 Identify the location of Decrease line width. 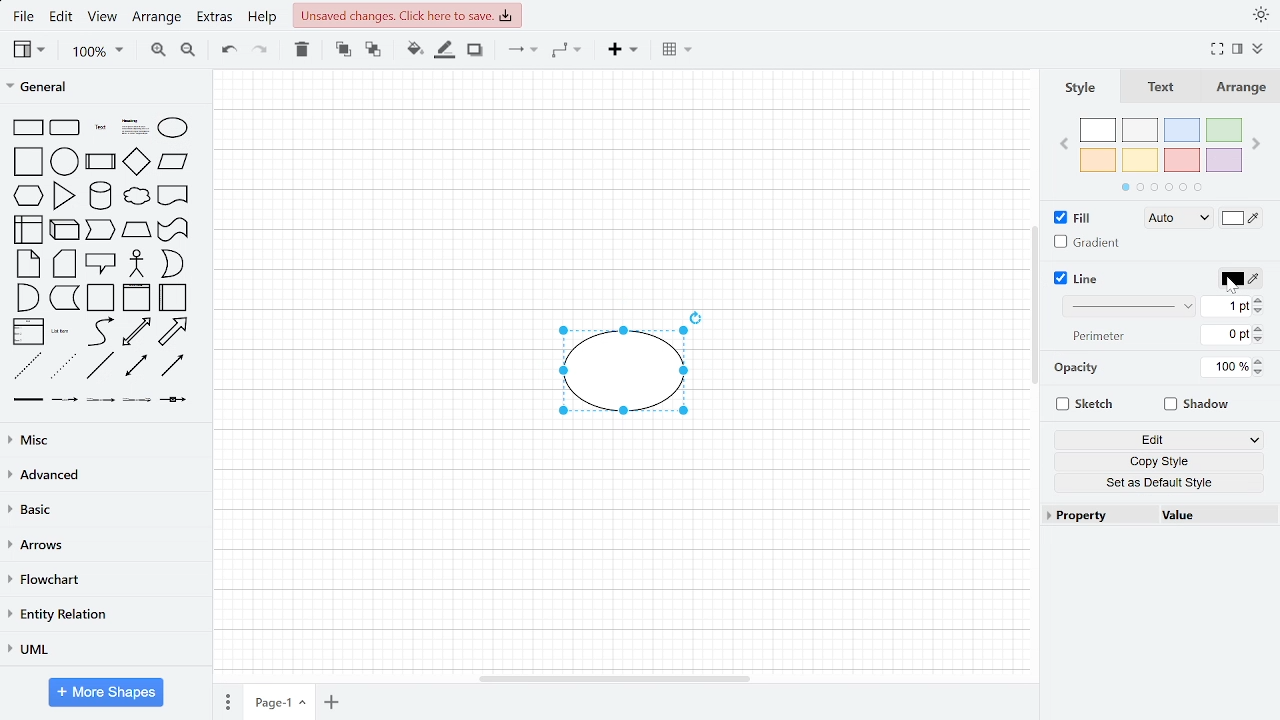
(1259, 311).